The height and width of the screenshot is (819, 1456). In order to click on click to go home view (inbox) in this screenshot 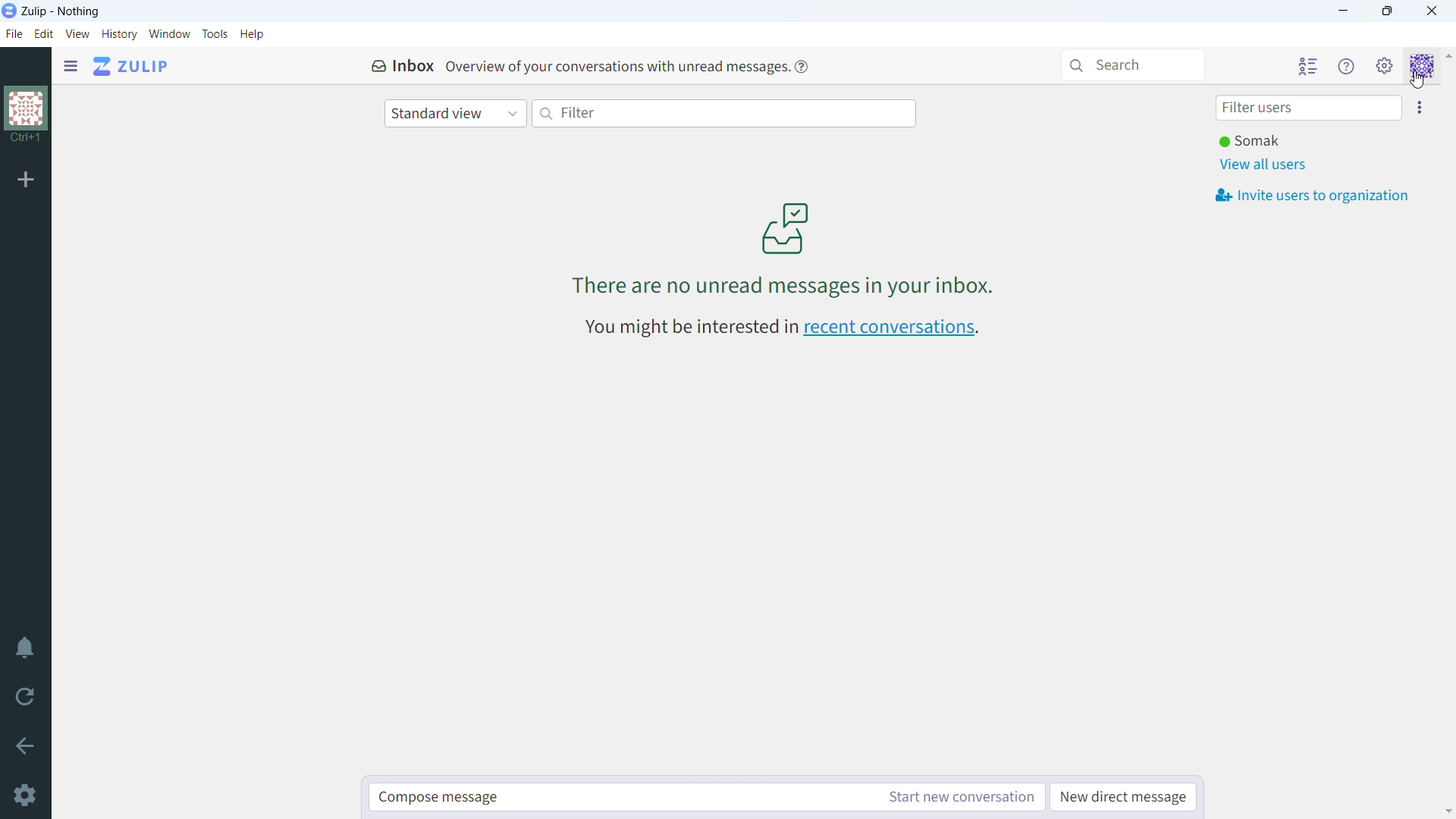, I will do `click(132, 65)`.